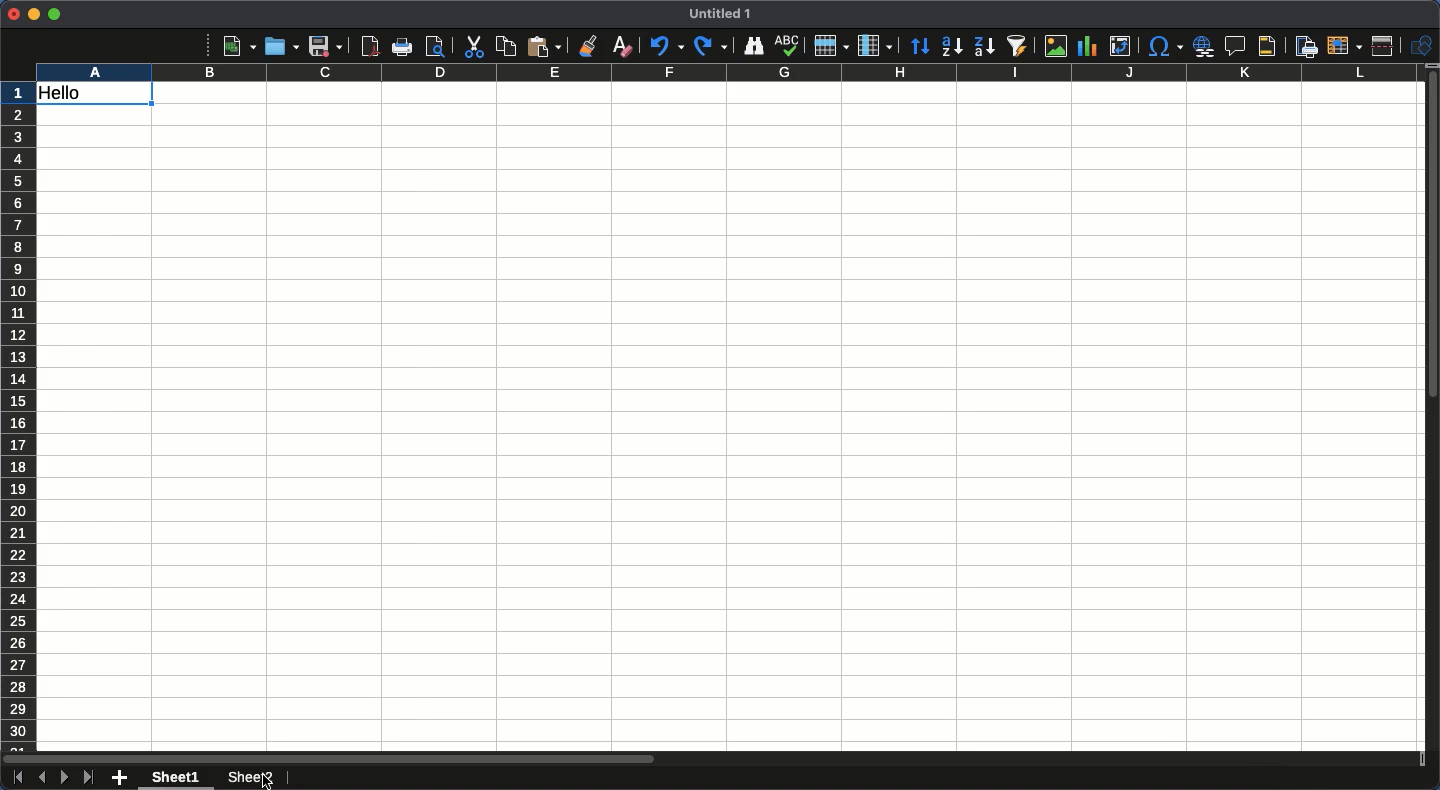 The height and width of the screenshot is (790, 1440). Describe the element at coordinates (1205, 46) in the screenshot. I see `Hyperlink` at that location.